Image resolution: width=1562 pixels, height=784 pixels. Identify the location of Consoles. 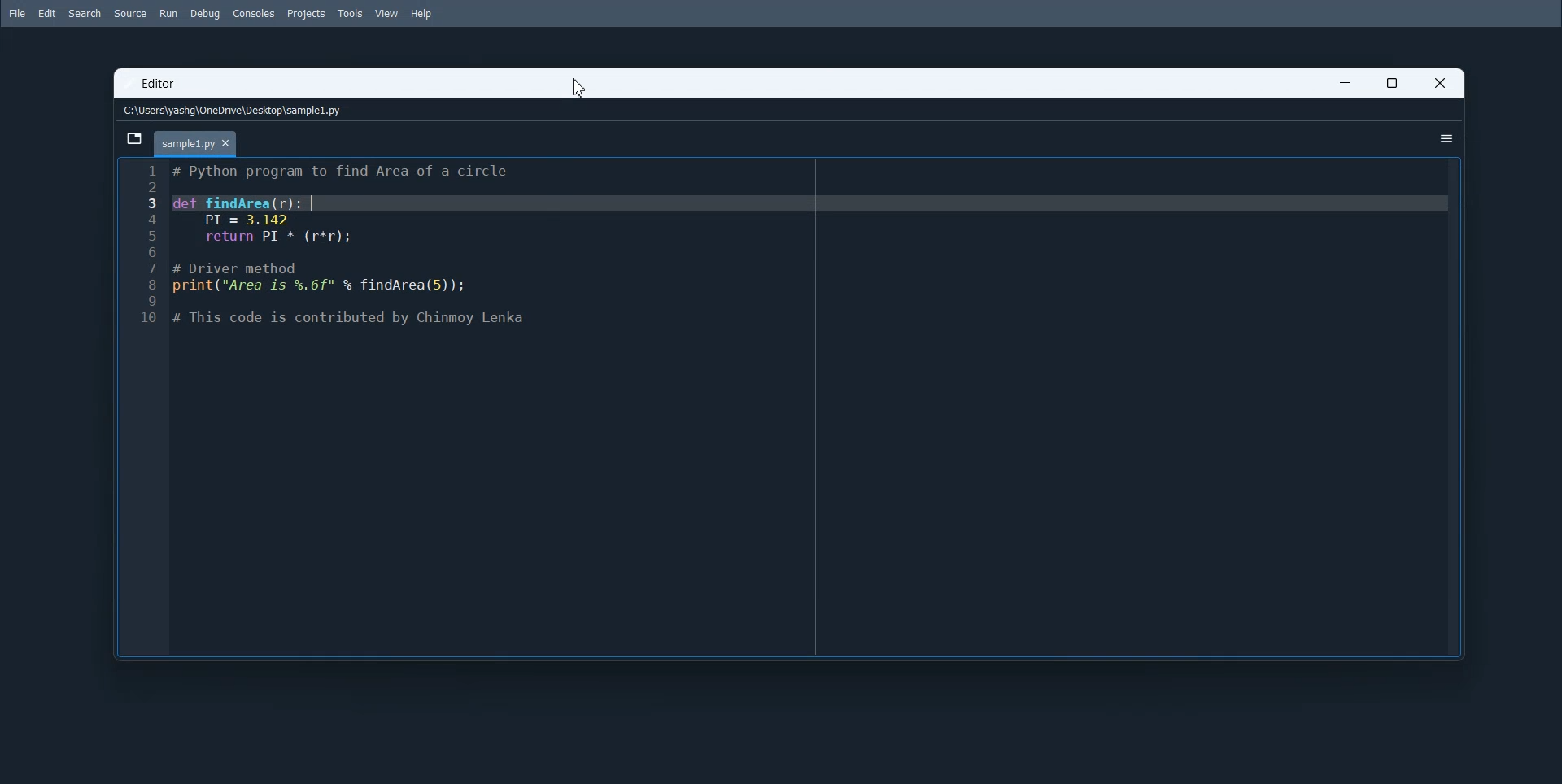
(255, 14).